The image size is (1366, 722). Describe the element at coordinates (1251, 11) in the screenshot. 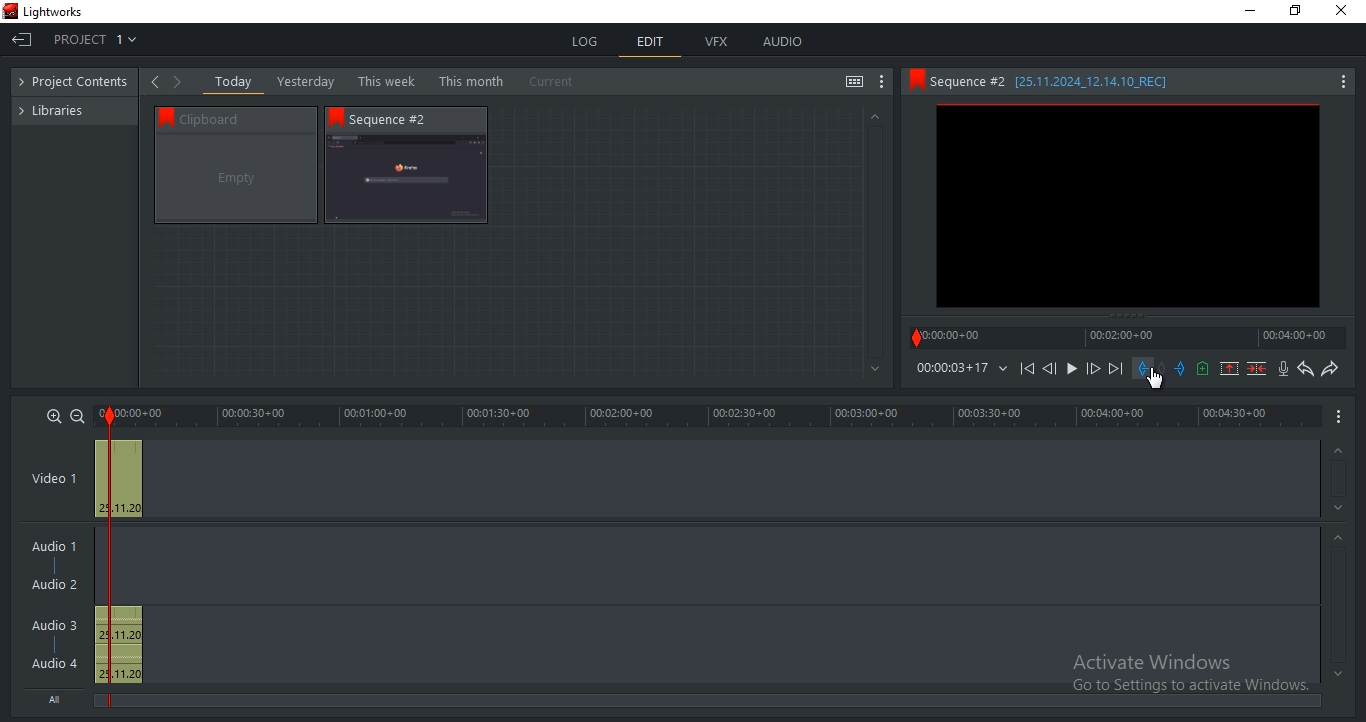

I see `minimize` at that location.